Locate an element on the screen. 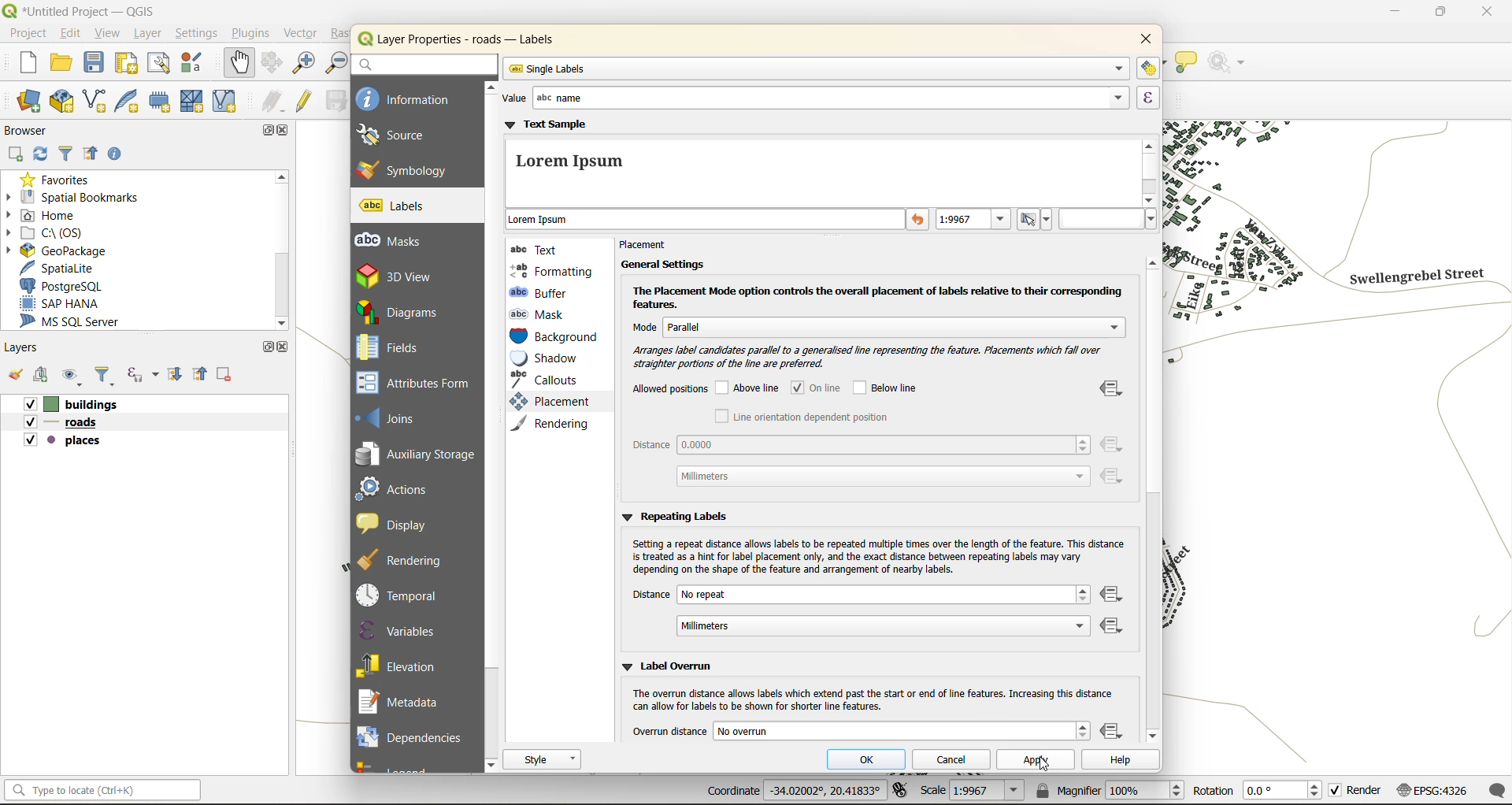 This screenshot has width=1512, height=805. elevation is located at coordinates (403, 664).